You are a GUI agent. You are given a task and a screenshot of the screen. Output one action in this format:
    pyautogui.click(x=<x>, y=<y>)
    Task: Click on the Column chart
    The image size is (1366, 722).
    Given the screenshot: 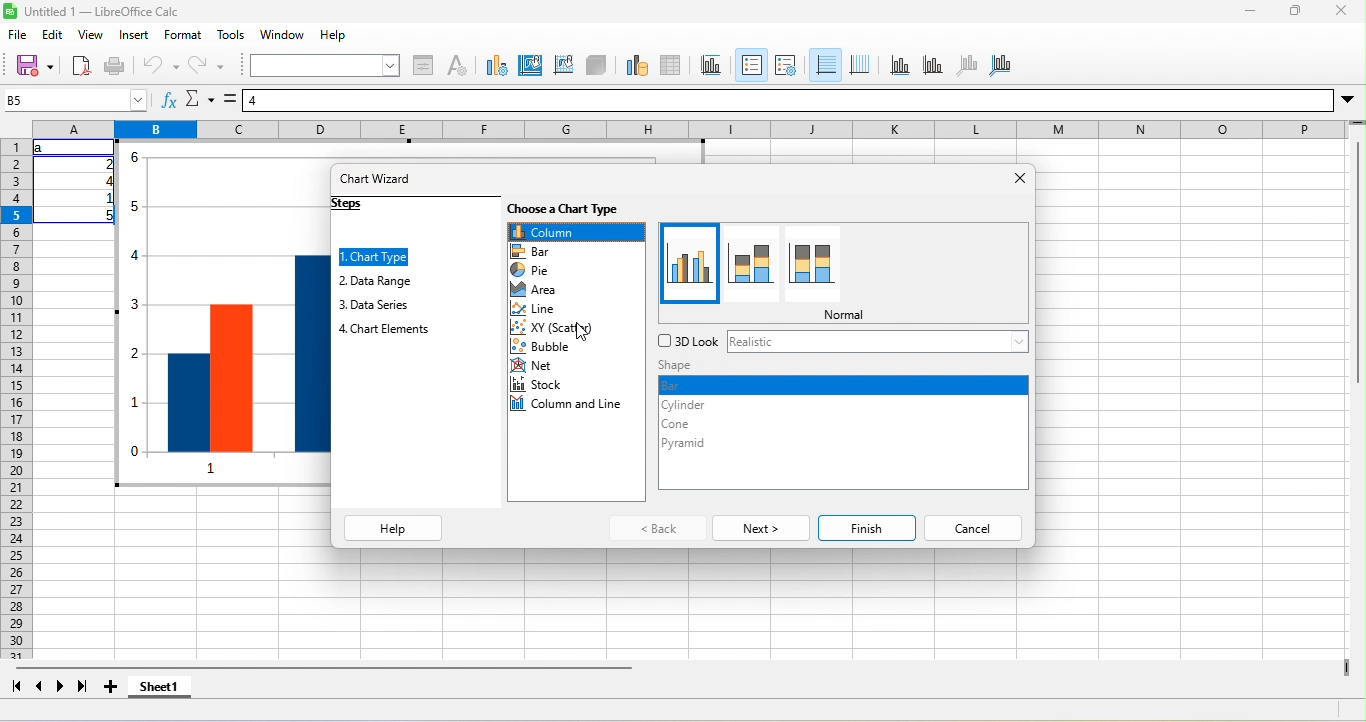 What is the action you would take?
    pyautogui.click(x=223, y=313)
    